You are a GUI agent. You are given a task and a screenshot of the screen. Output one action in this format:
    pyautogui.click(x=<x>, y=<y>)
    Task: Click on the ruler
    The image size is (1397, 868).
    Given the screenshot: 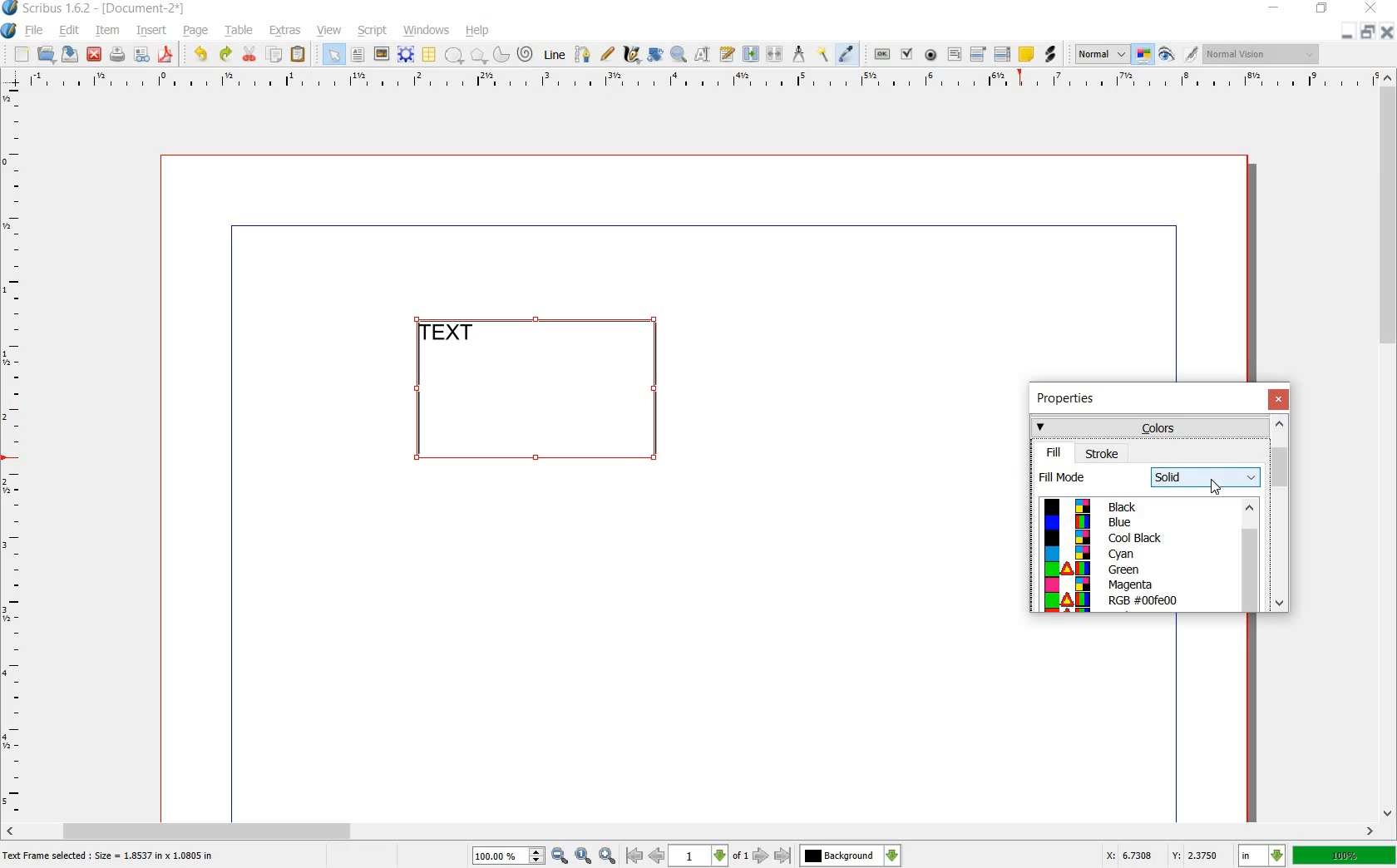 What is the action you would take?
    pyautogui.click(x=696, y=81)
    